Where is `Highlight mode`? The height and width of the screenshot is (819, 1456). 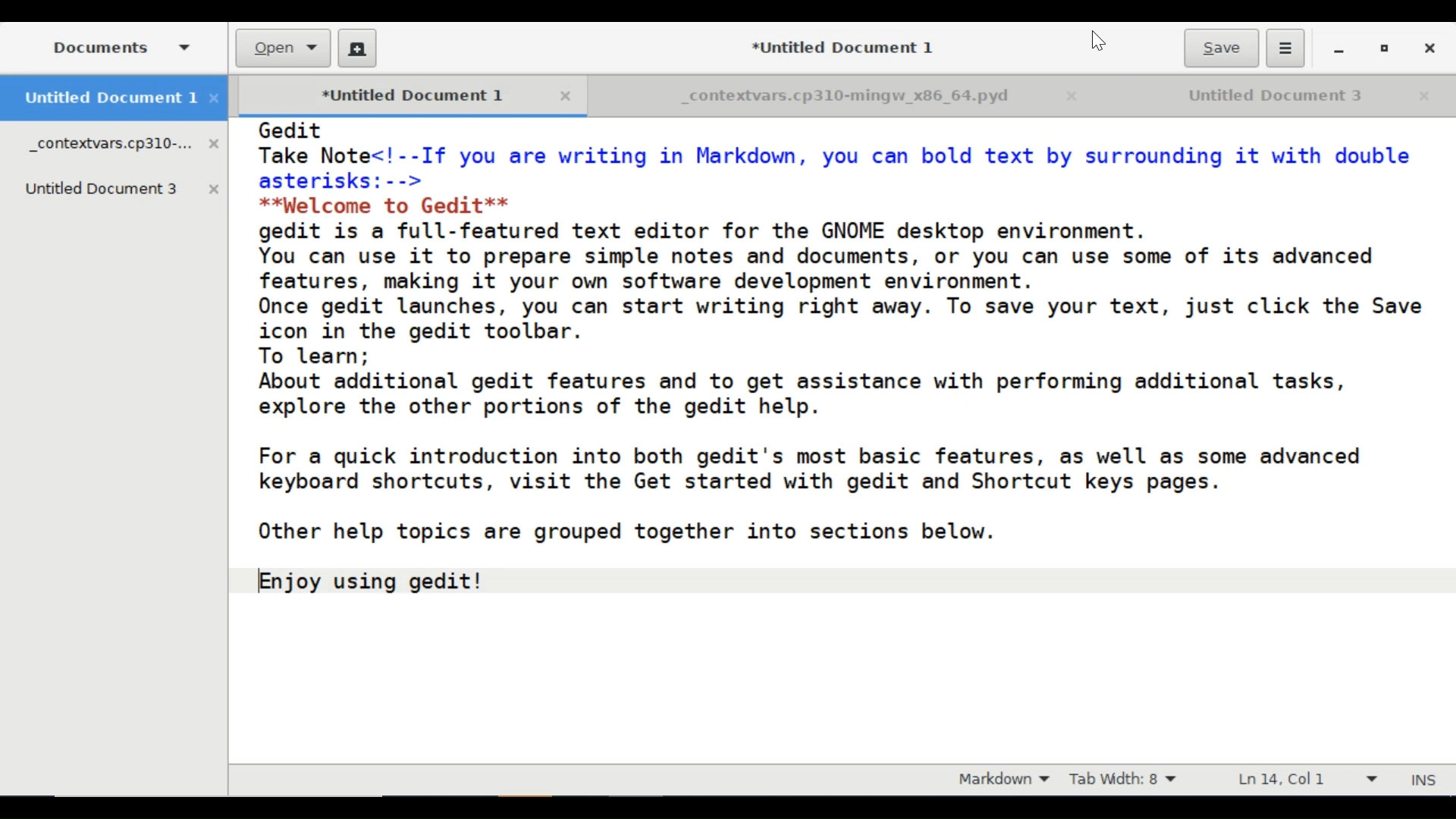
Highlight mode is located at coordinates (1002, 780).